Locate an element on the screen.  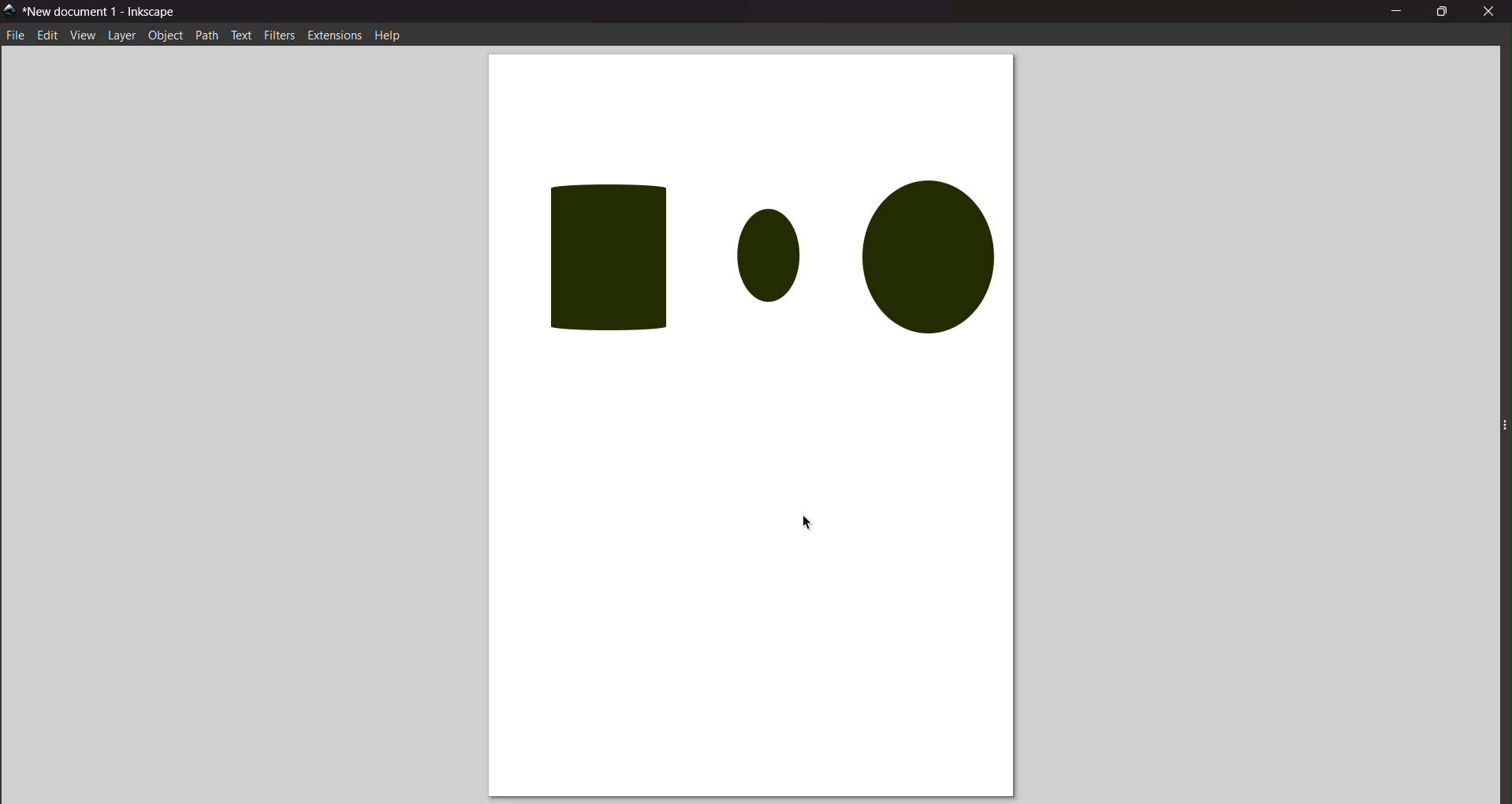
expand is located at coordinates (1497, 422).